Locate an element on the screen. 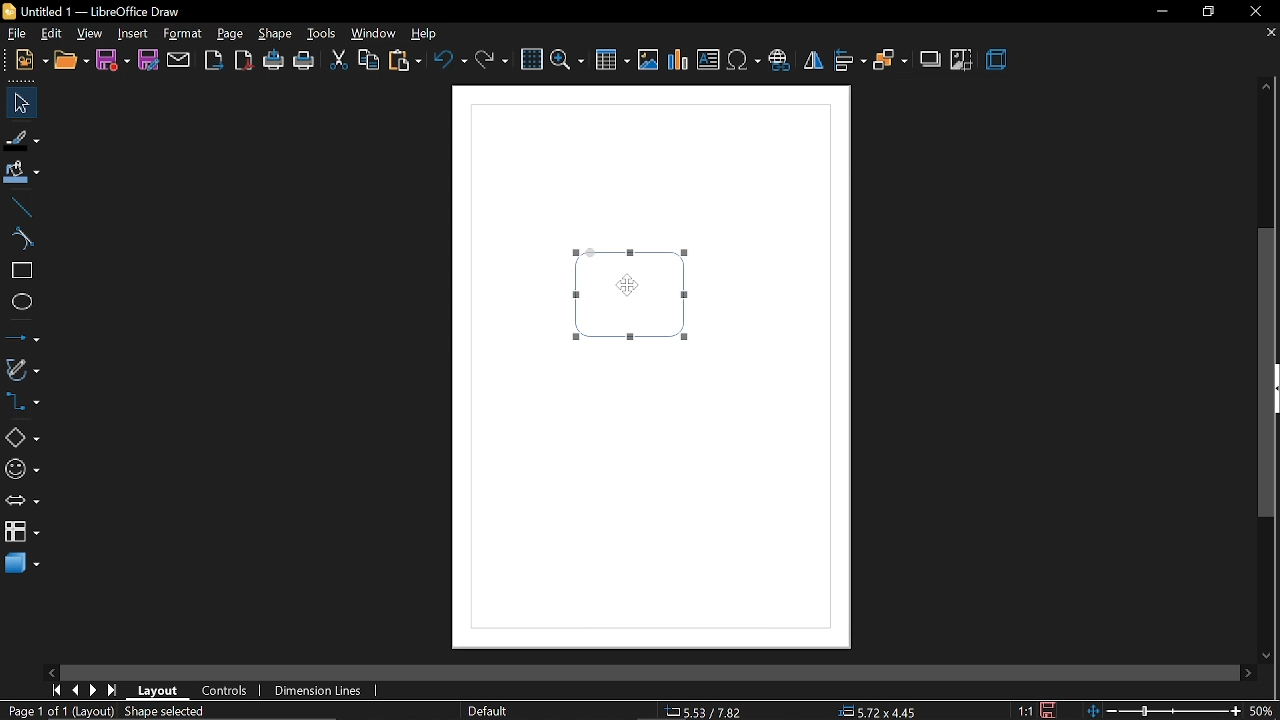  current page is located at coordinates (59, 712).